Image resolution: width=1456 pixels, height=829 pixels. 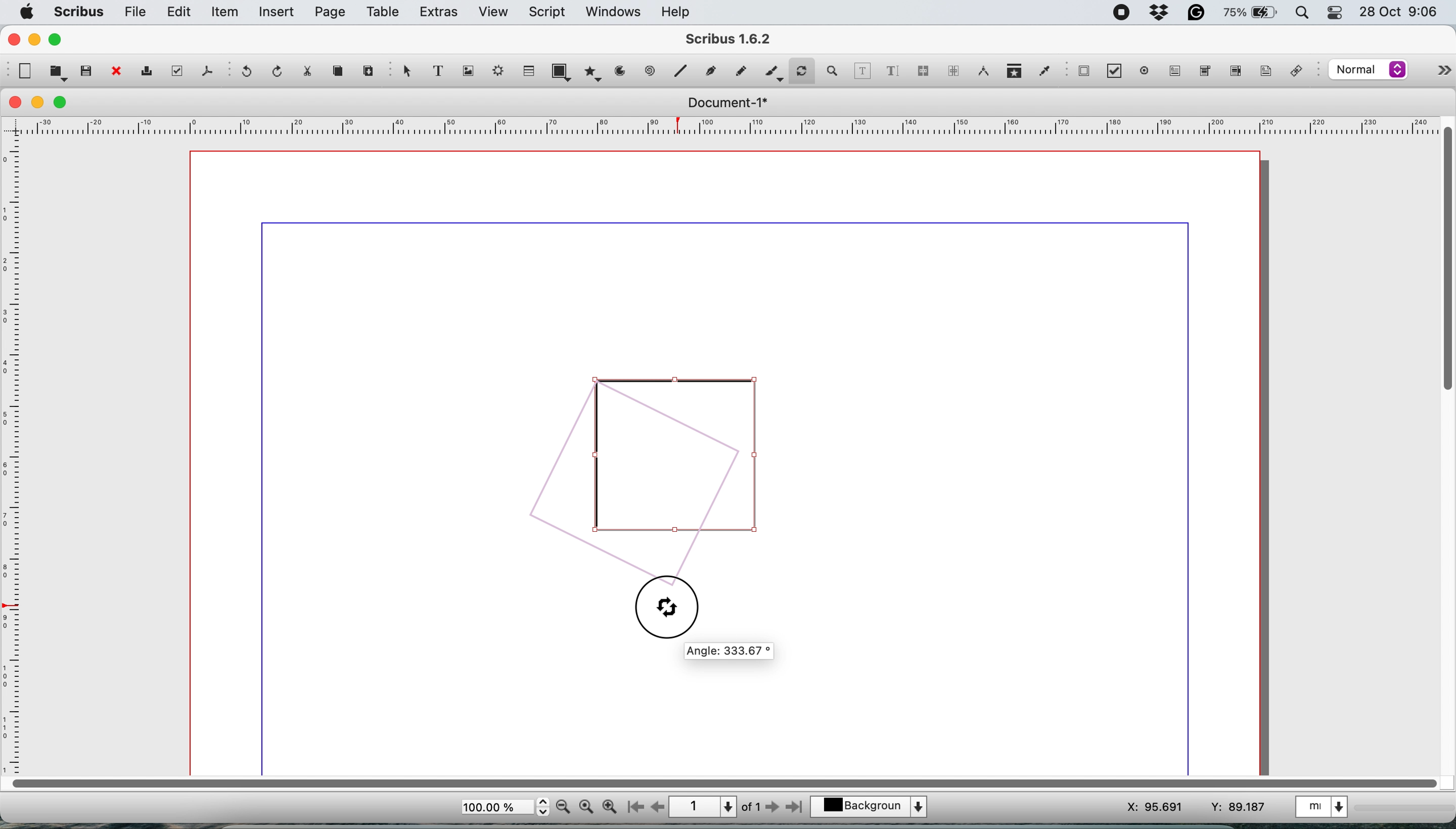 I want to click on image frame, so click(x=471, y=72).